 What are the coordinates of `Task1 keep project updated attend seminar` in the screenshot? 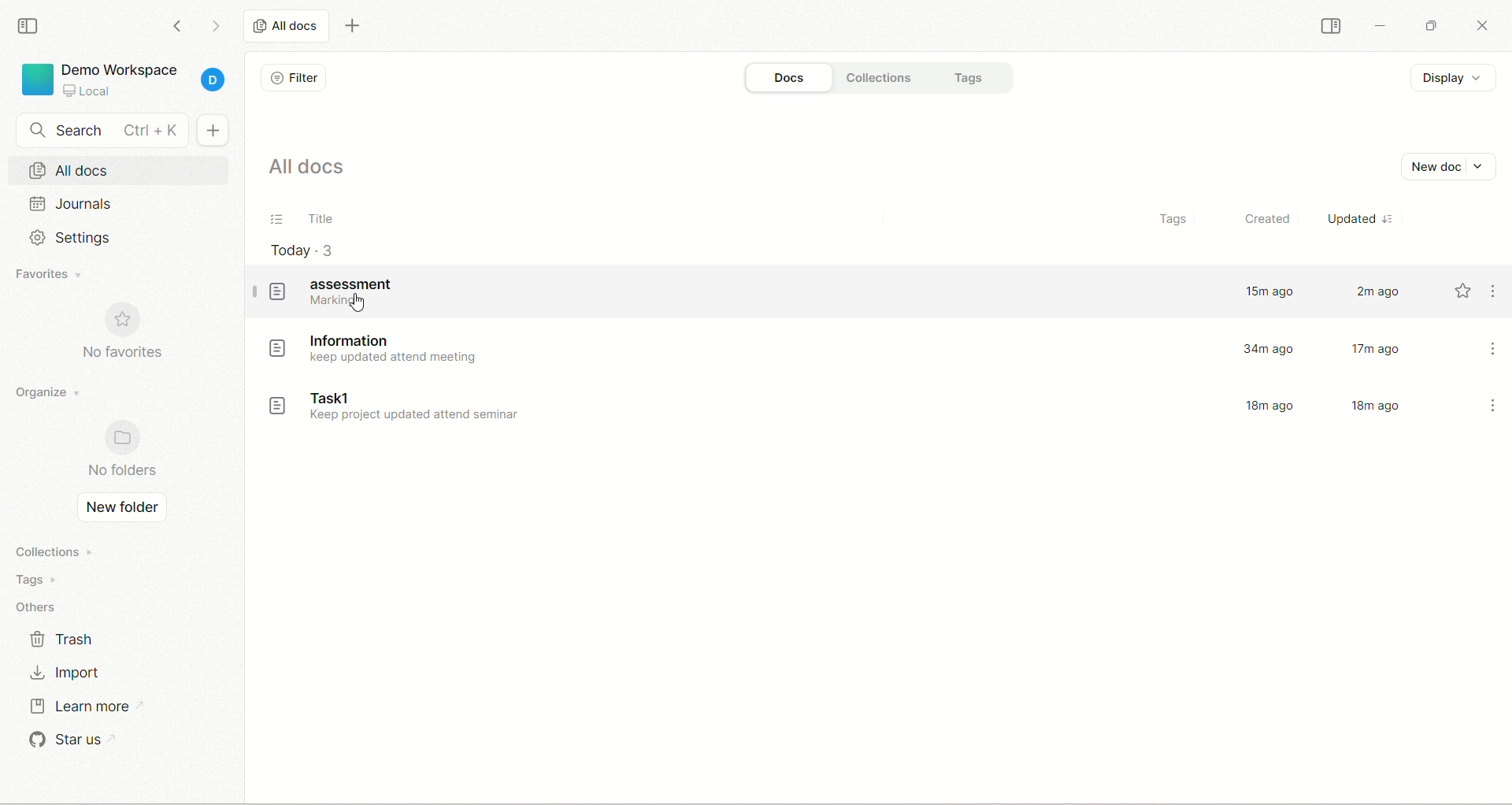 It's located at (394, 410).